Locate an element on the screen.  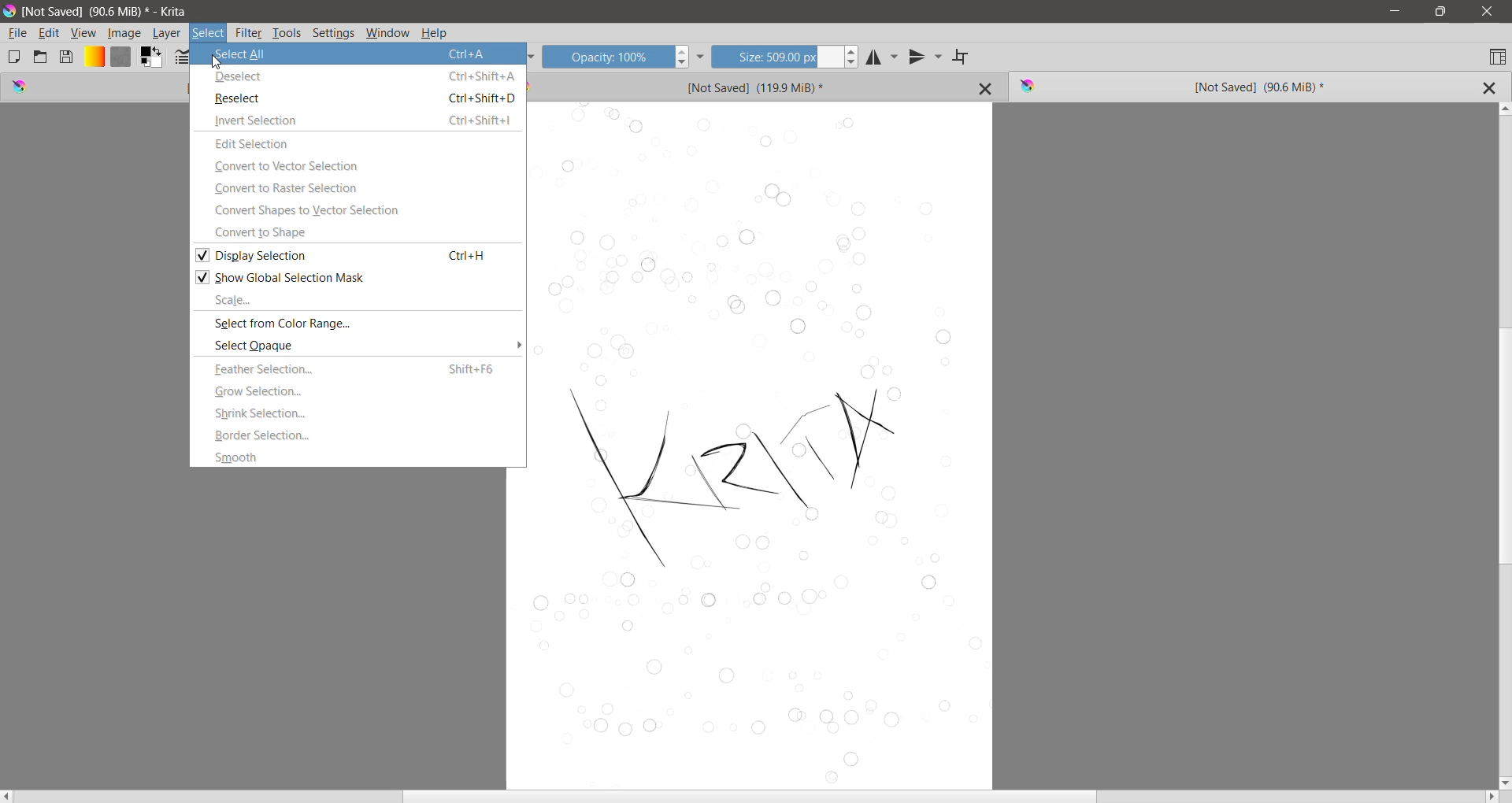
Save is located at coordinates (67, 56).